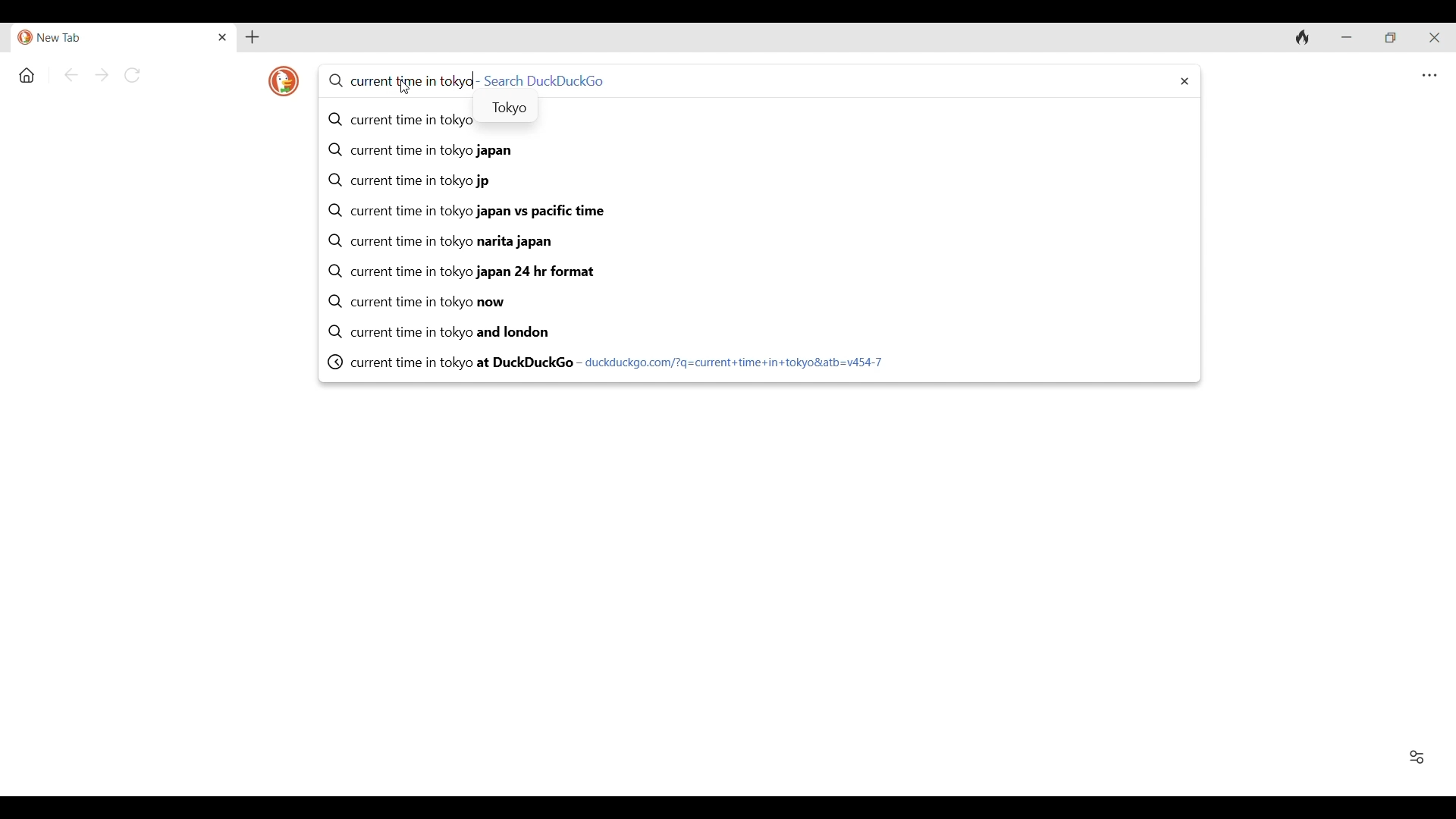  Describe the element at coordinates (398, 82) in the screenshot. I see `current time in tokyo` at that location.